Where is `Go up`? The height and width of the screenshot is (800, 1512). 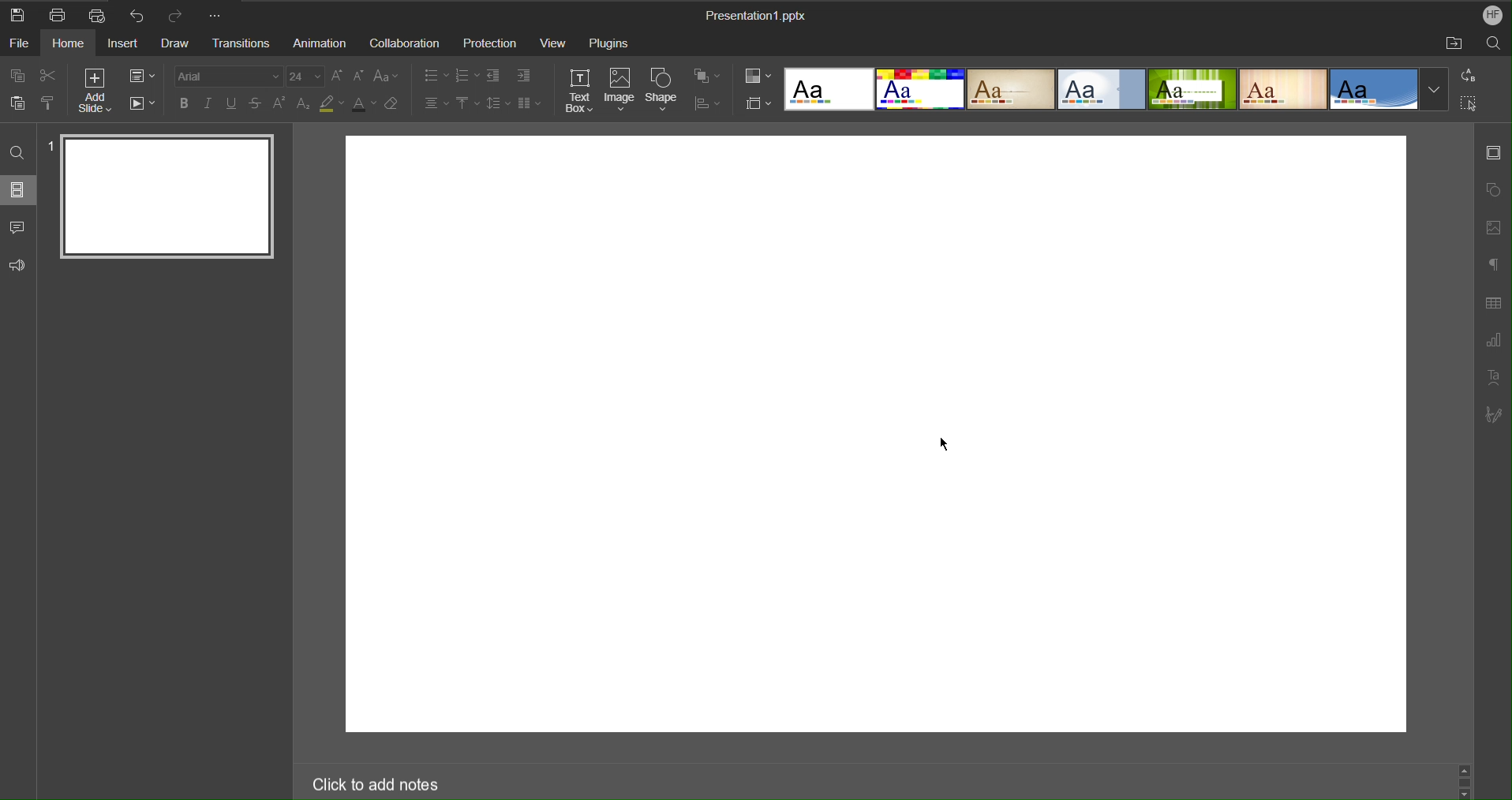
Go up is located at coordinates (1465, 768).